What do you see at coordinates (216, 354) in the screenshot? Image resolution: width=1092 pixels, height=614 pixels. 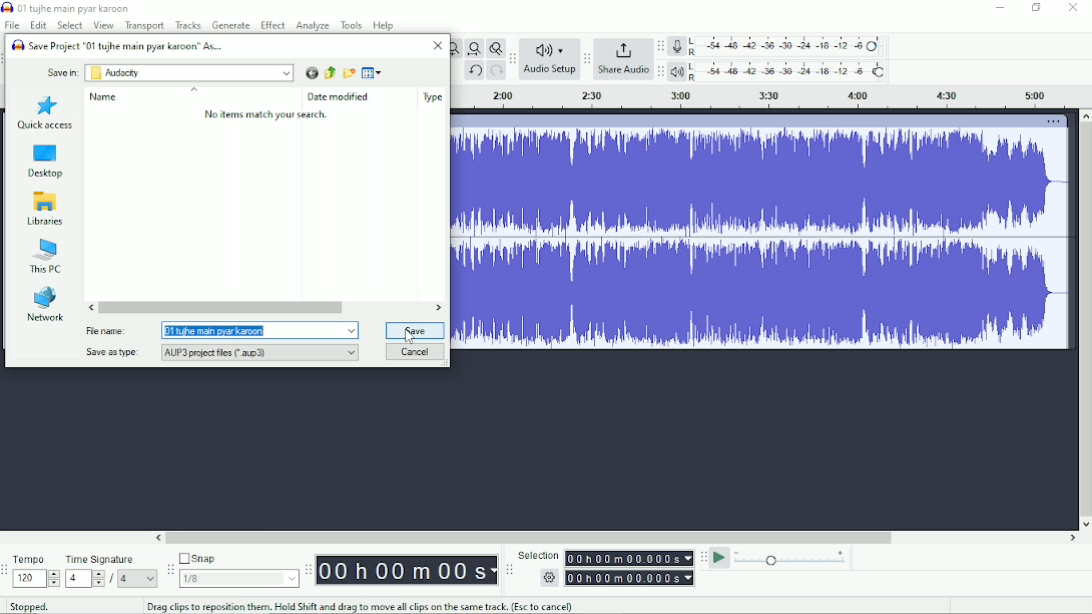 I see `Save as type` at bounding box center [216, 354].